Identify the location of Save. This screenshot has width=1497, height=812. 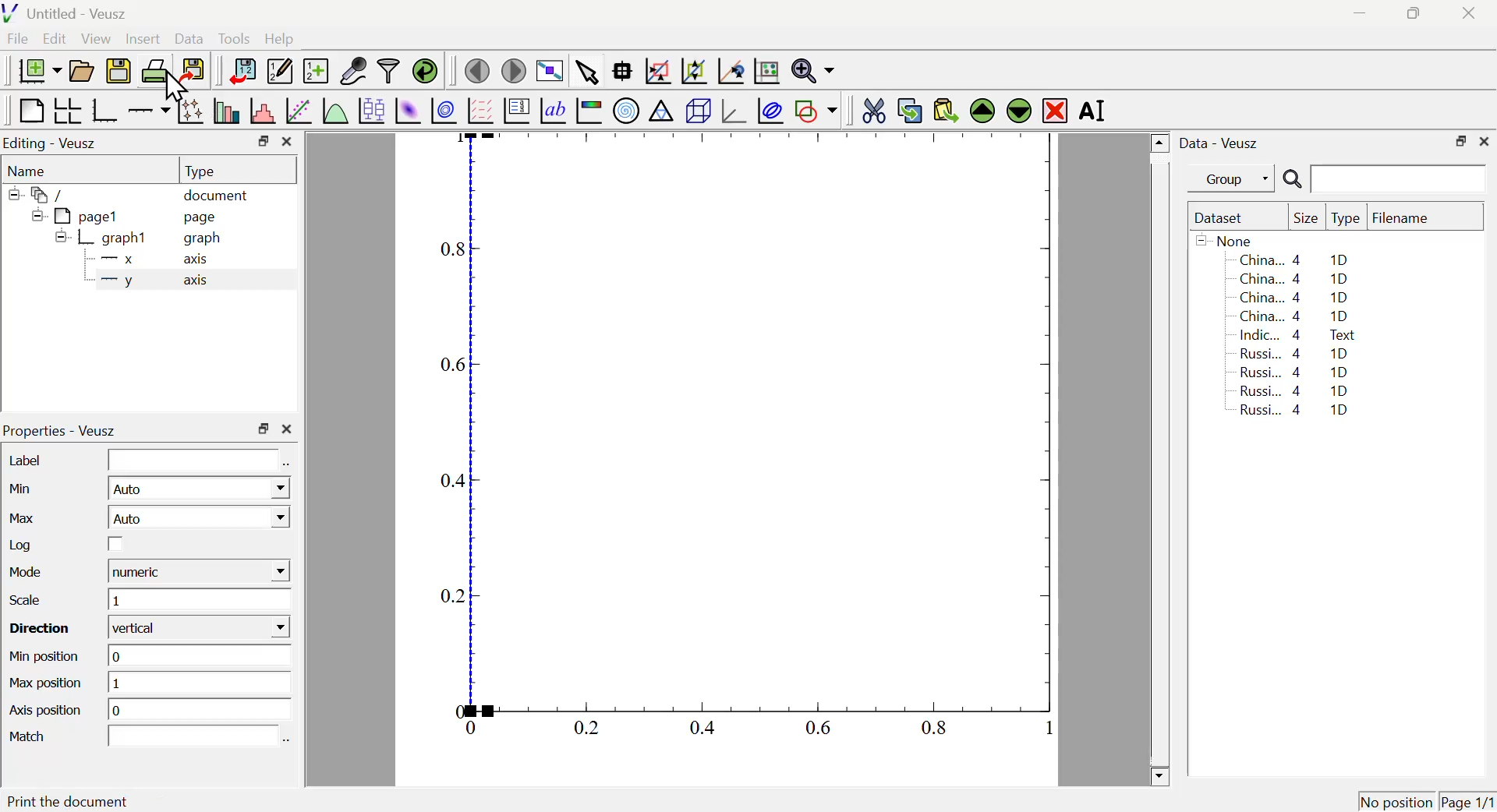
(119, 72).